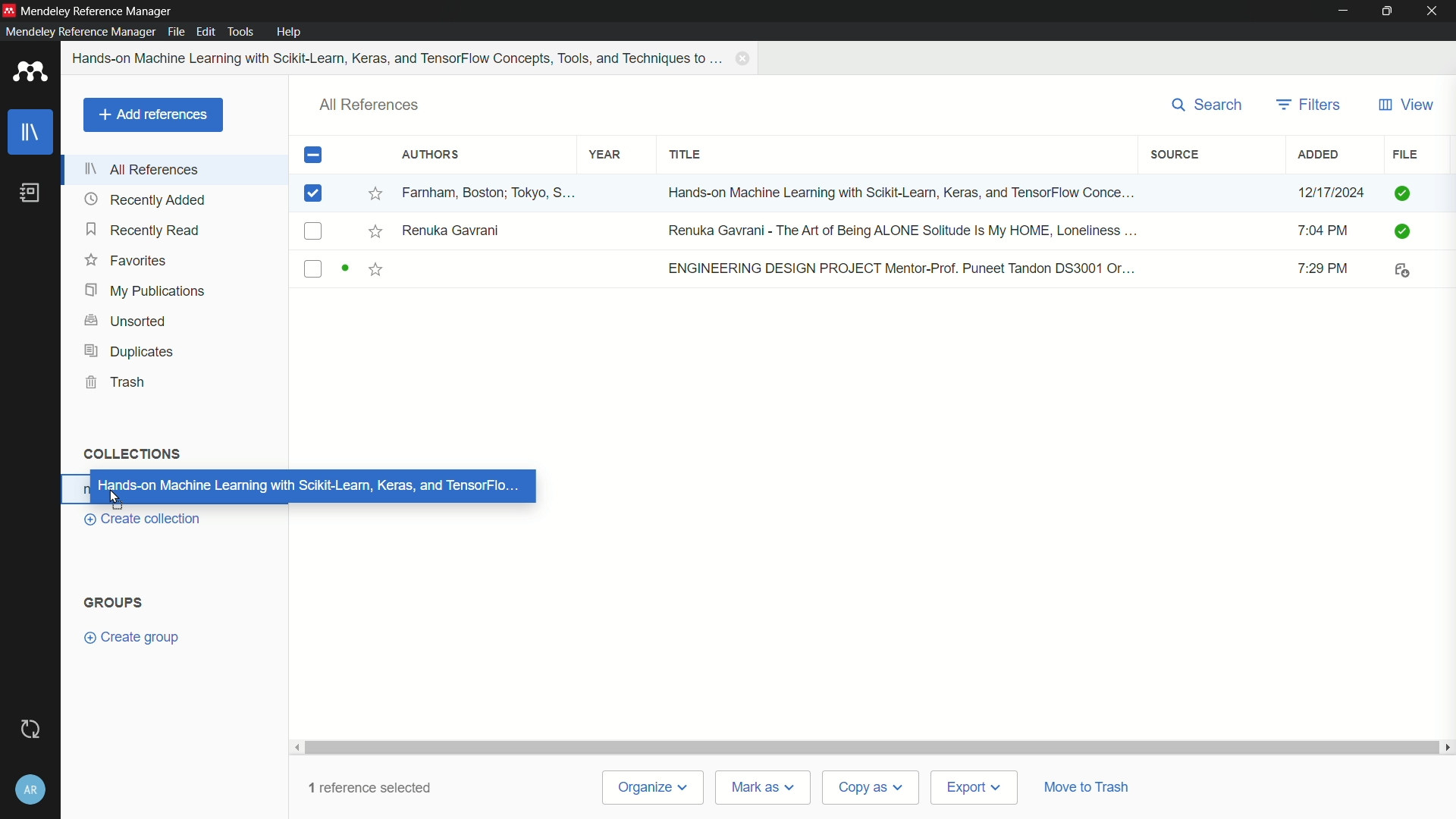 This screenshot has width=1456, height=819. What do you see at coordinates (1319, 155) in the screenshot?
I see `added` at bounding box center [1319, 155].